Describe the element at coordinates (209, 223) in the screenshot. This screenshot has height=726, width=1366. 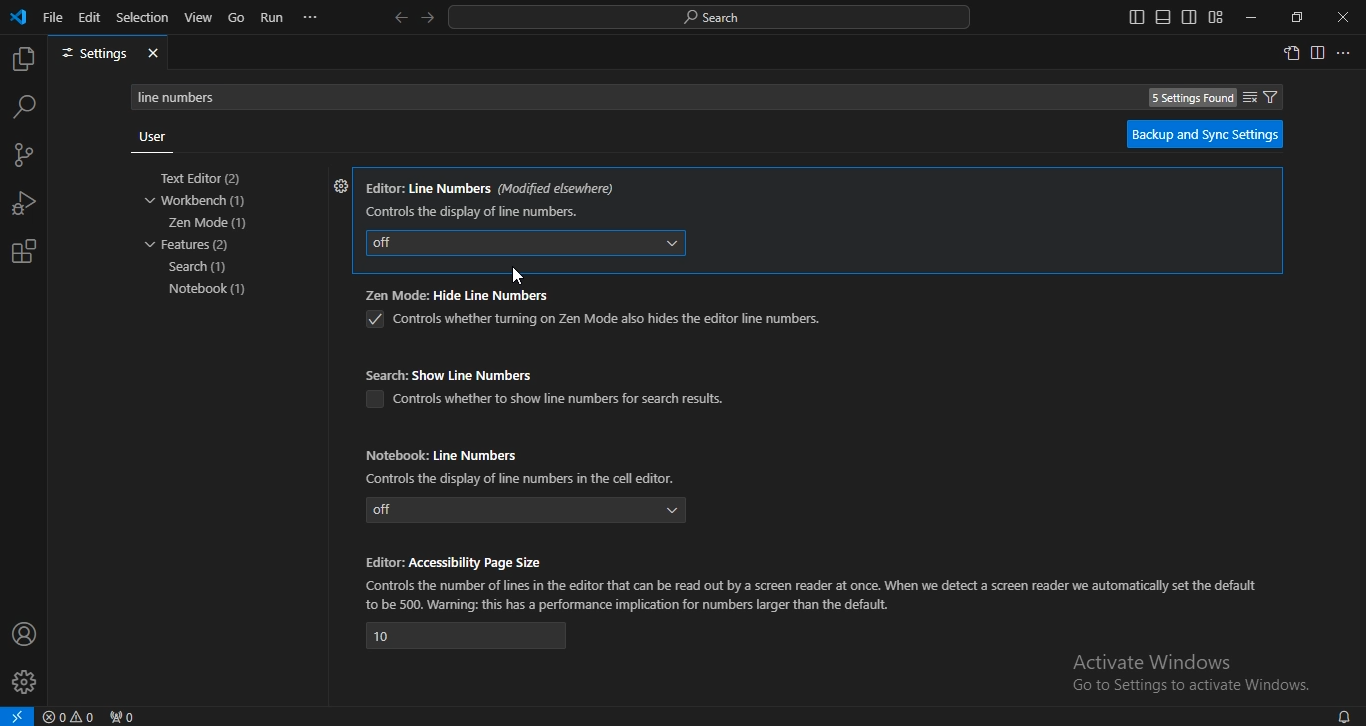
I see `zen mode` at that location.